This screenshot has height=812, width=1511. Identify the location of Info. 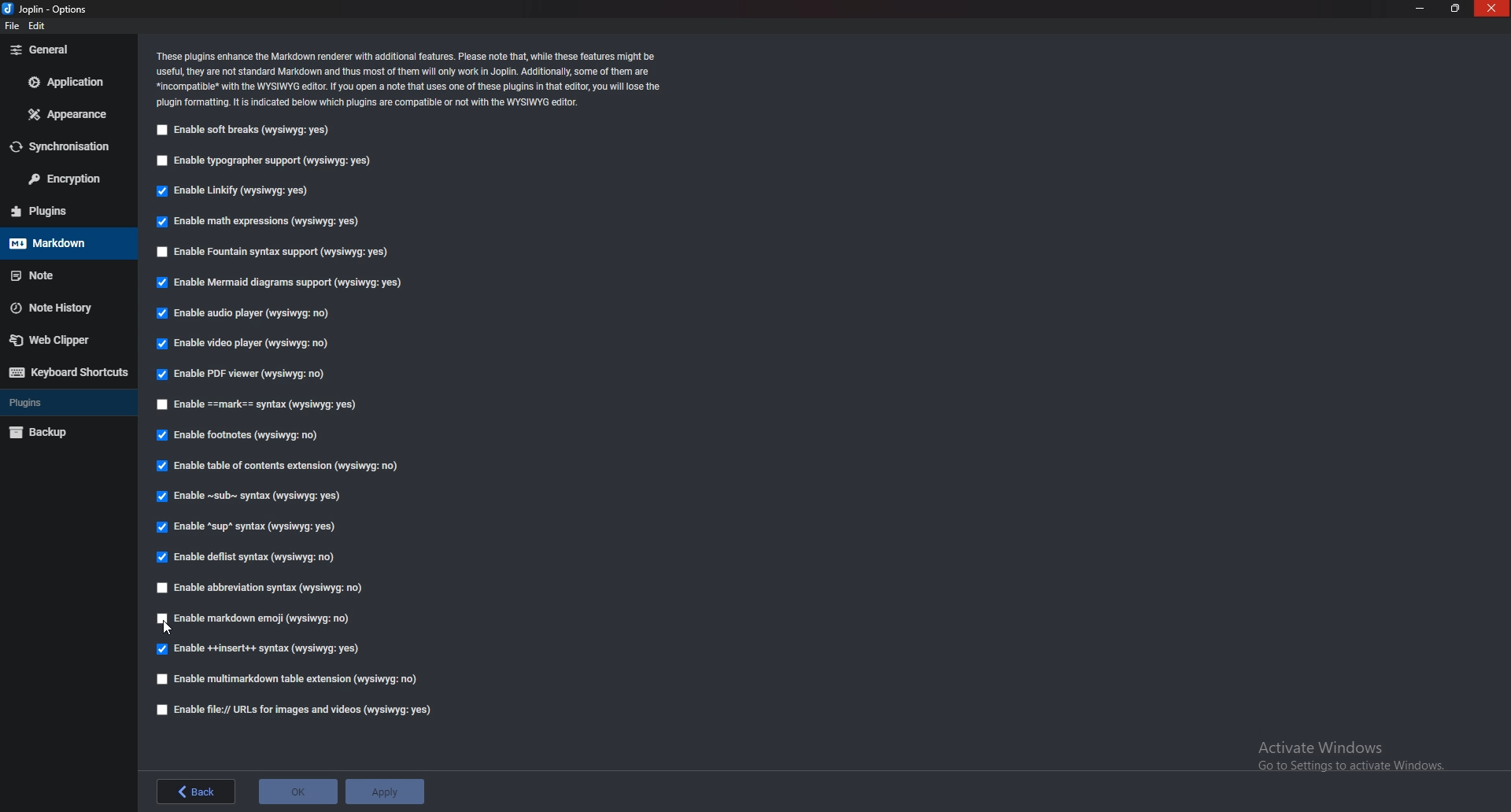
(412, 79).